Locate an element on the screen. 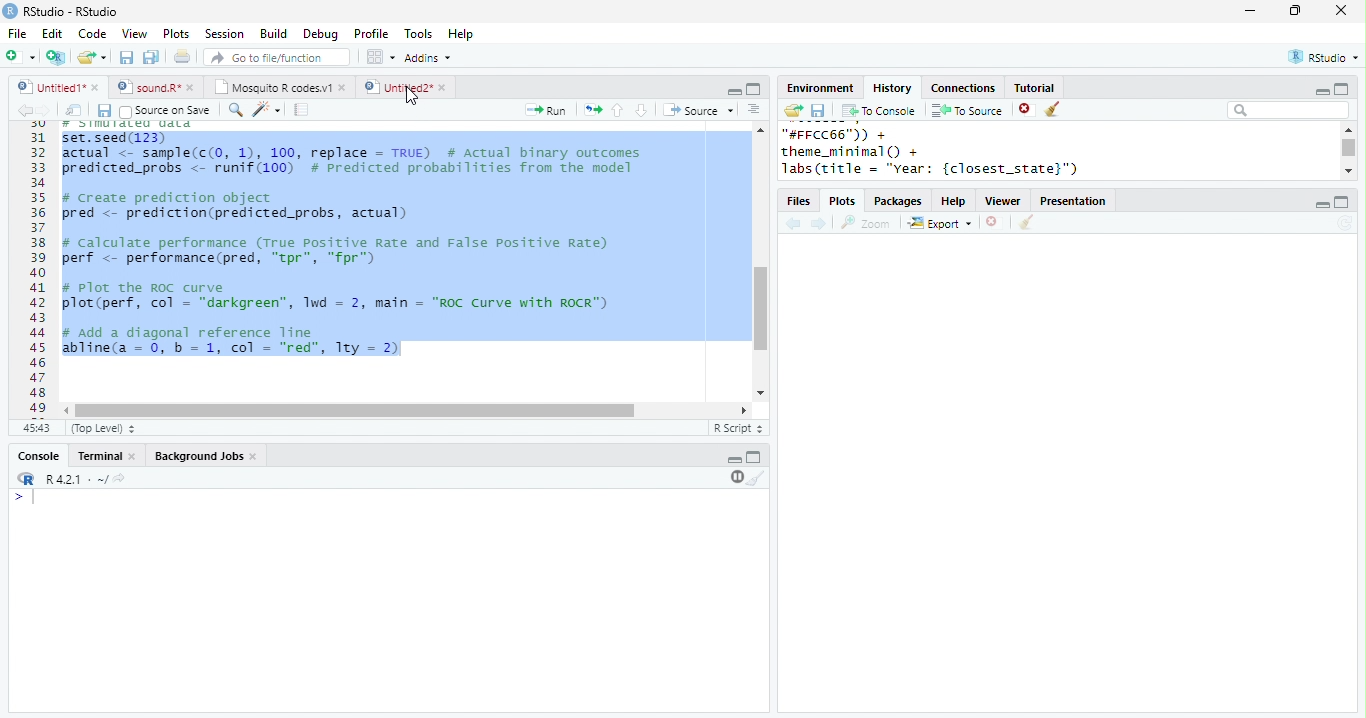  clear is located at coordinates (1054, 110).